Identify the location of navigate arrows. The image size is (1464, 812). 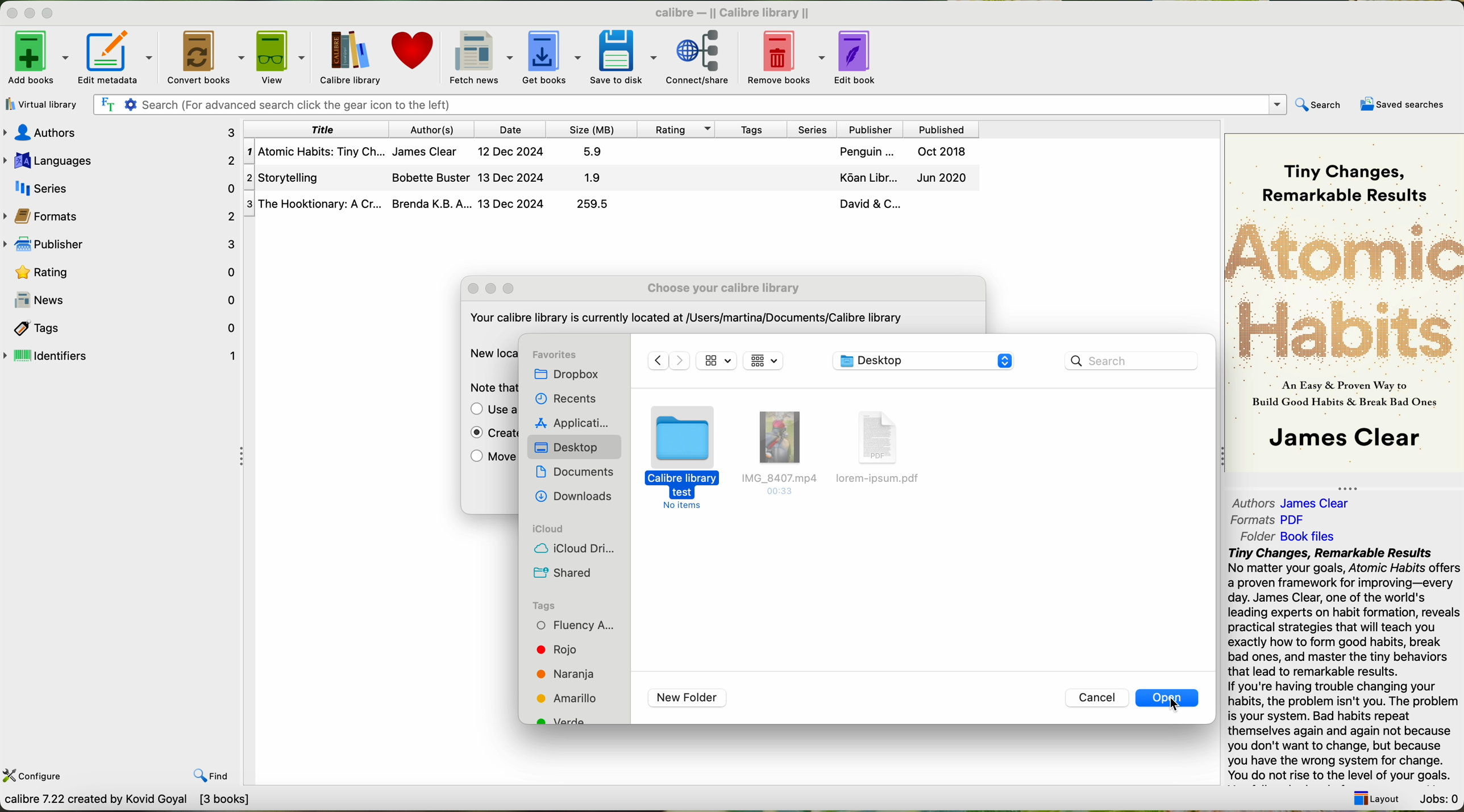
(667, 361).